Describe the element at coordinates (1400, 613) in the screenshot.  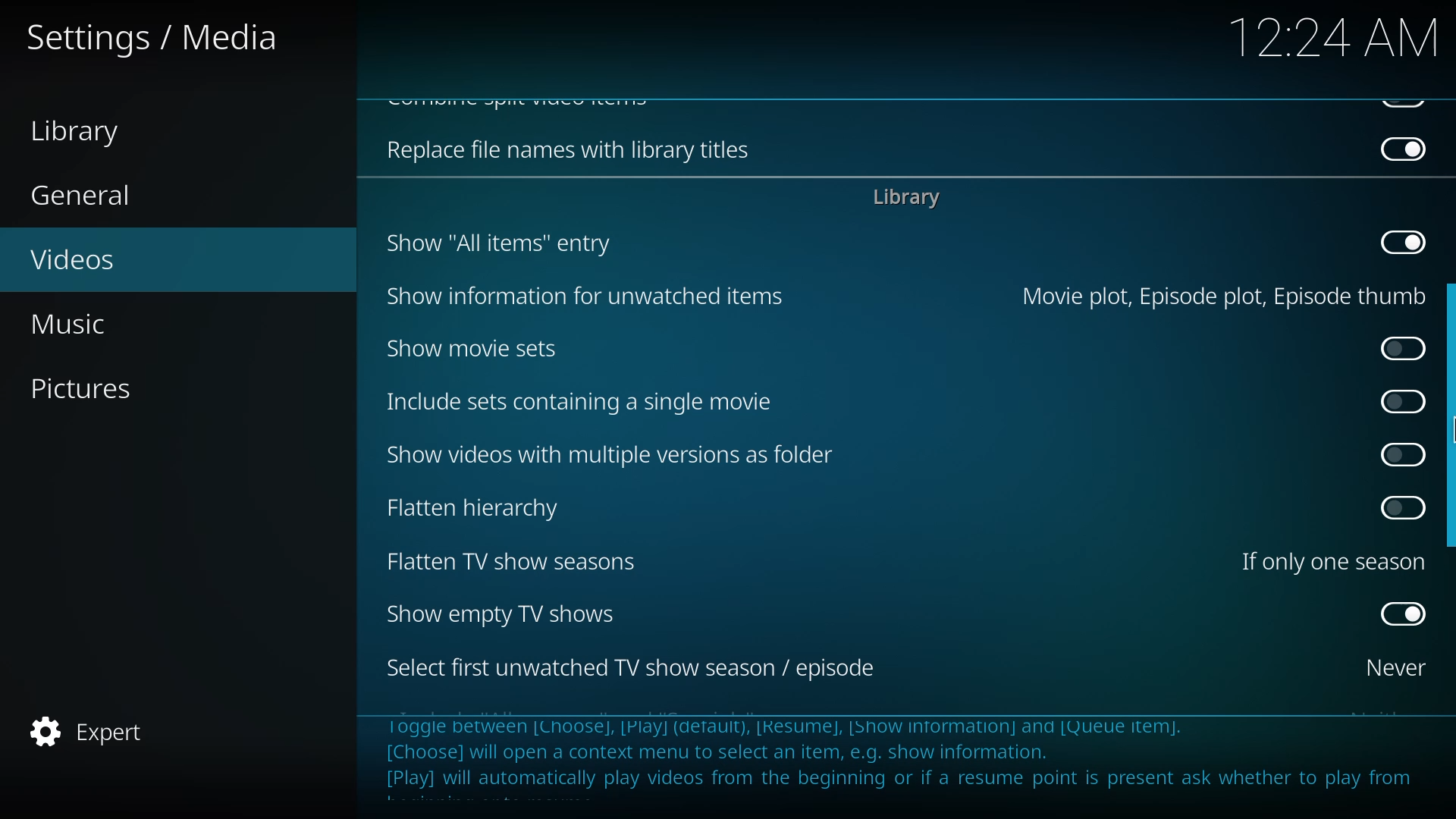
I see `enabled` at that location.